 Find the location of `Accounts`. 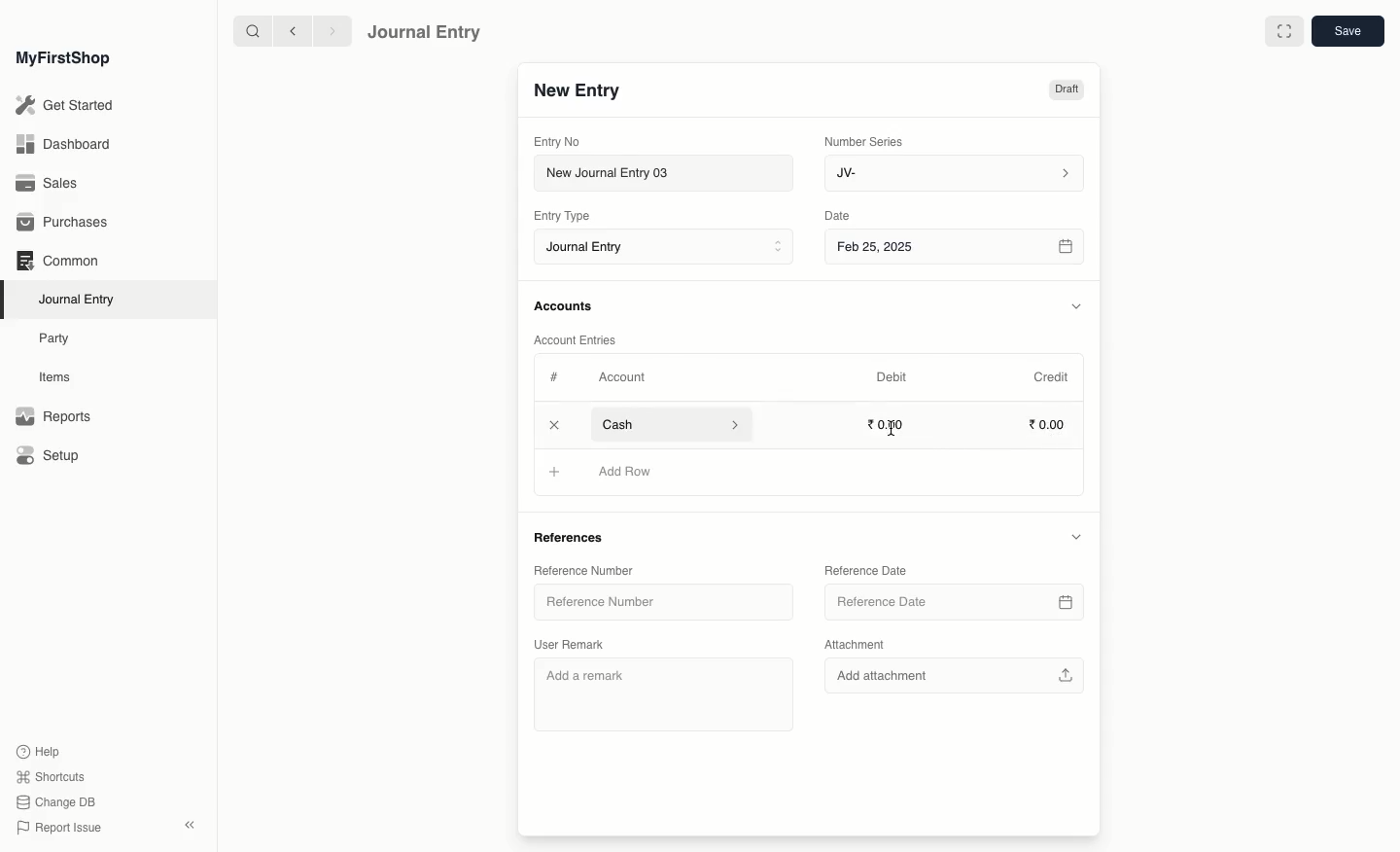

Accounts is located at coordinates (565, 306).